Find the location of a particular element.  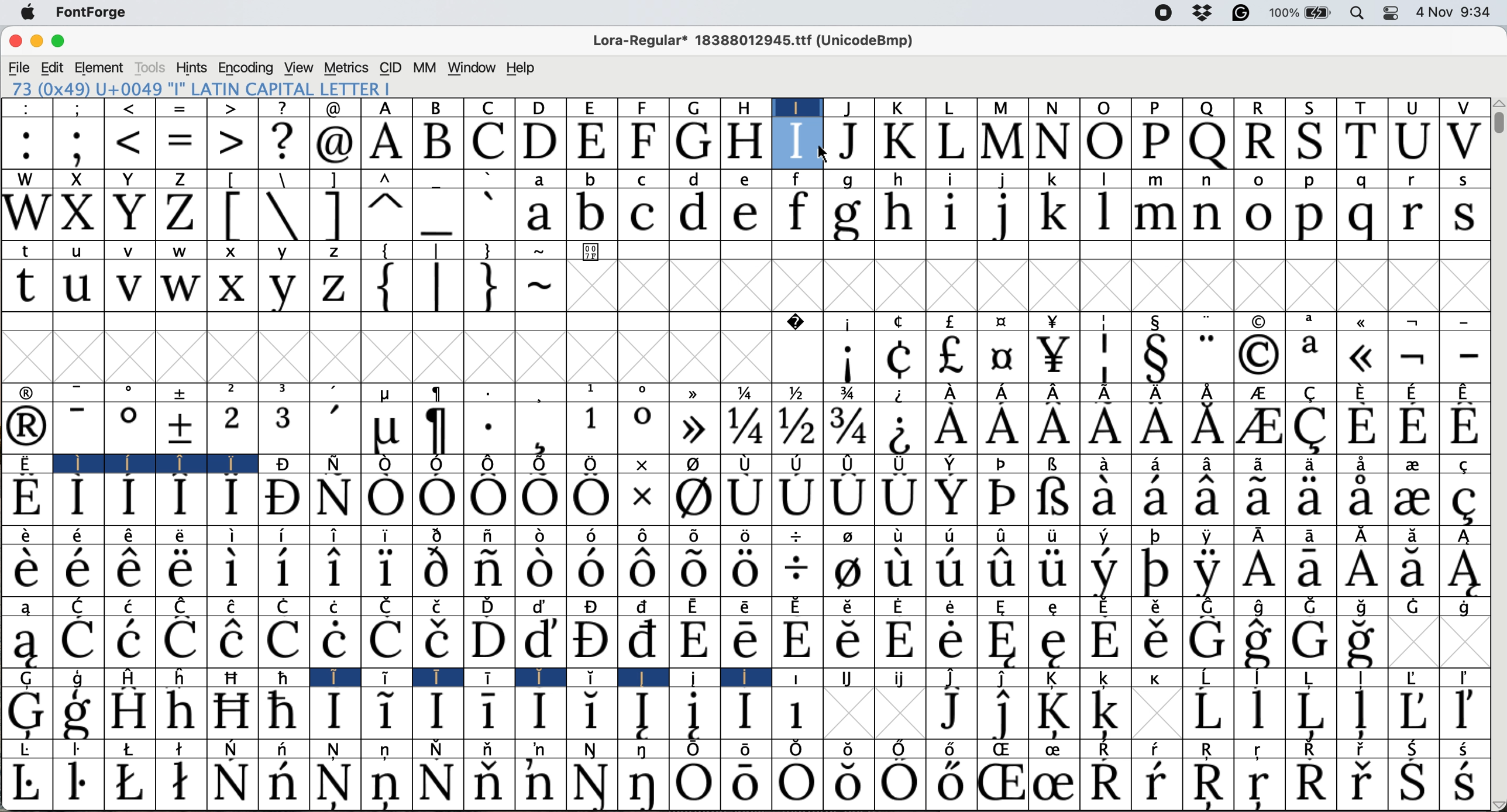

Symbol is located at coordinates (1363, 607).